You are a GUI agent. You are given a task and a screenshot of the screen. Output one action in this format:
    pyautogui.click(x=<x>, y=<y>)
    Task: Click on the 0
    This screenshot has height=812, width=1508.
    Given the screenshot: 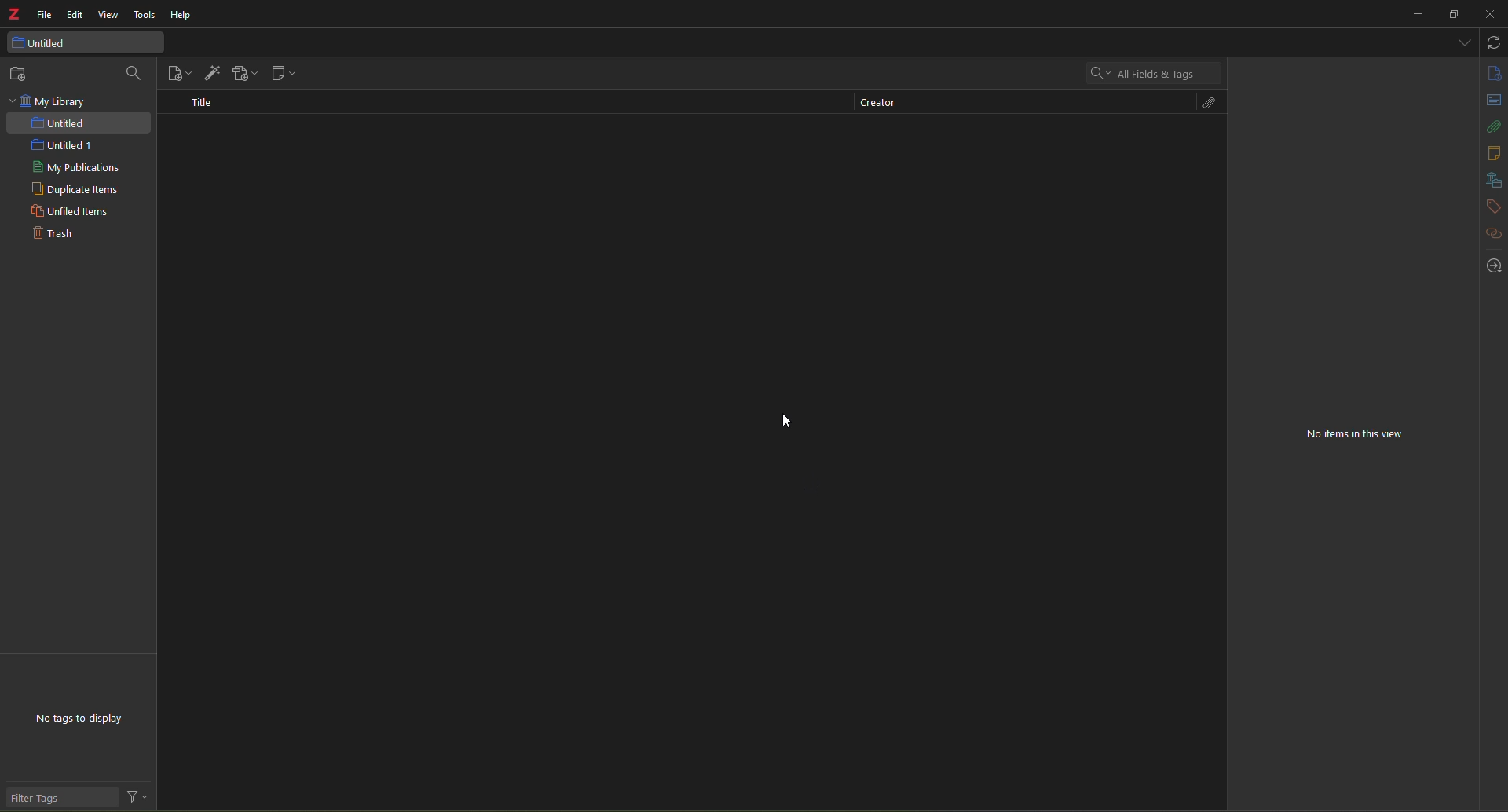 What is the action you would take?
    pyautogui.click(x=1275, y=181)
    